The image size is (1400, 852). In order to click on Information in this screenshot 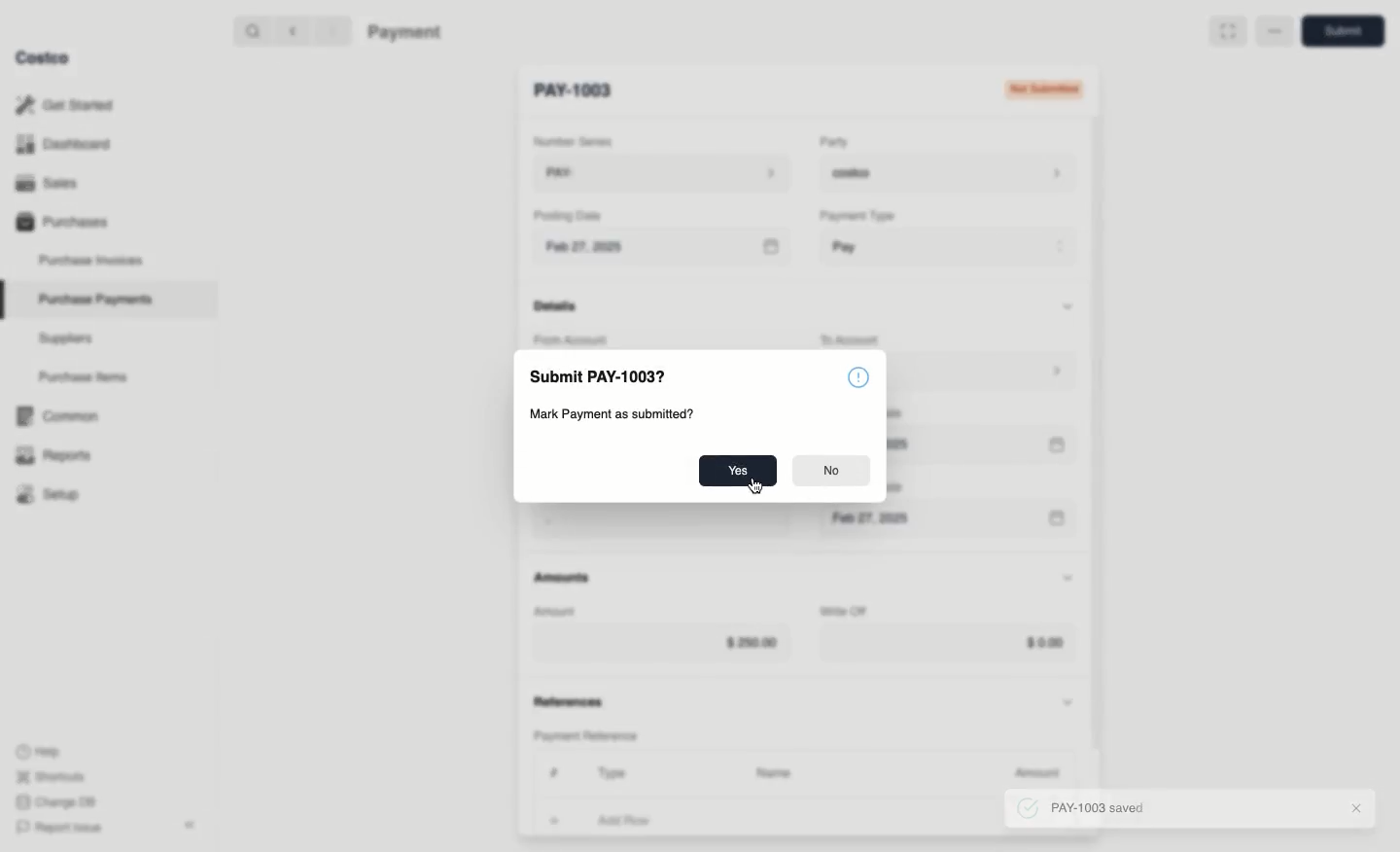, I will do `click(862, 376)`.